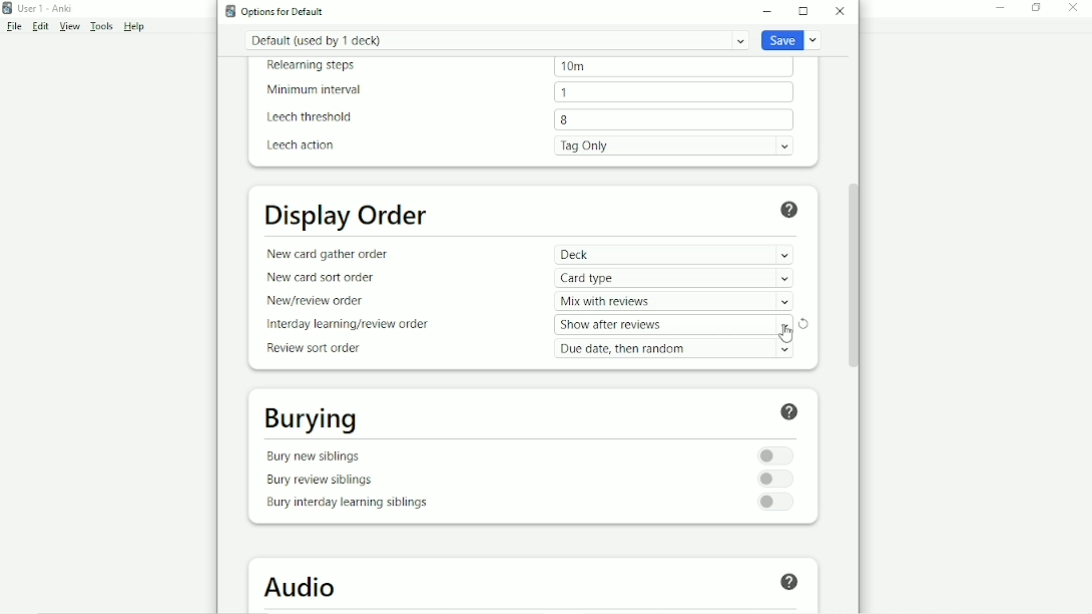  I want to click on Bury review siblings, so click(319, 482).